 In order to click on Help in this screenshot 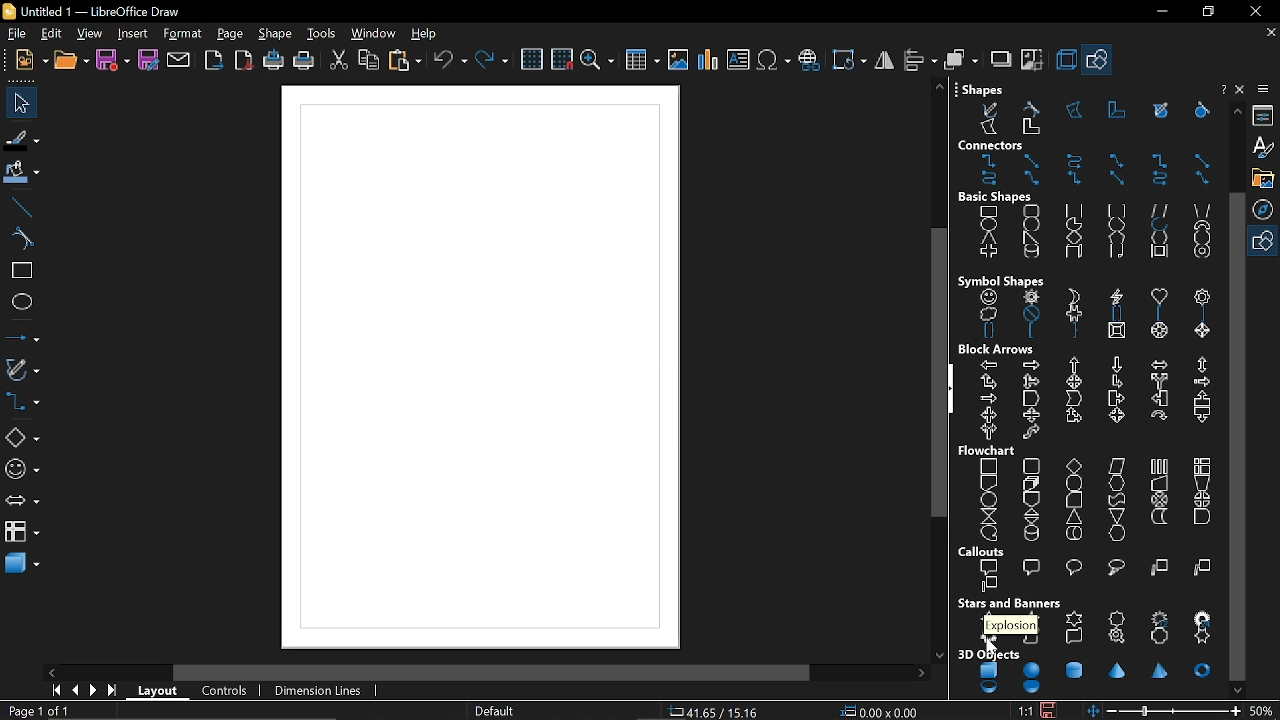, I will do `click(1242, 91)`.